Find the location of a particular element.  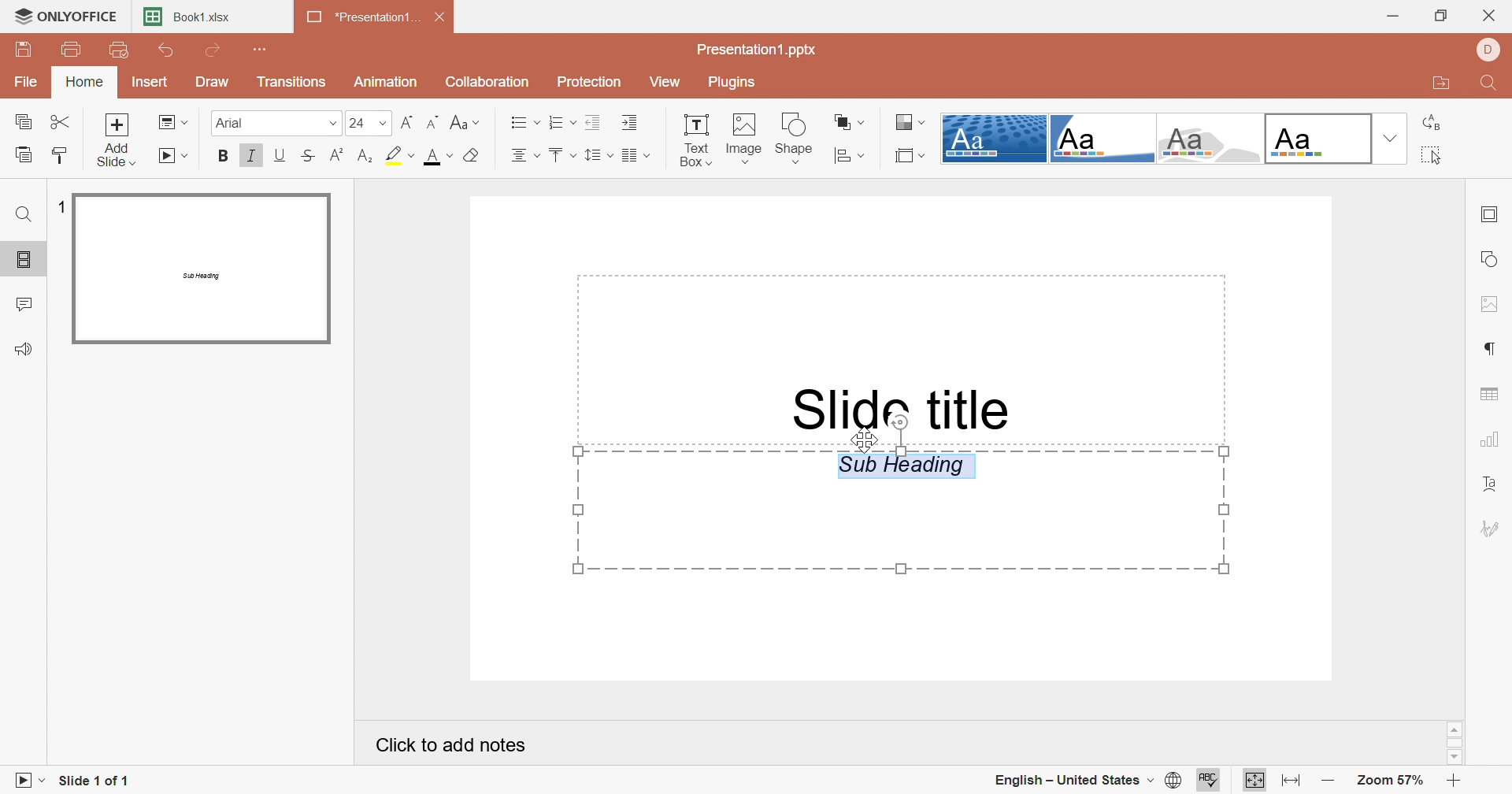

Superscript is located at coordinates (338, 154).